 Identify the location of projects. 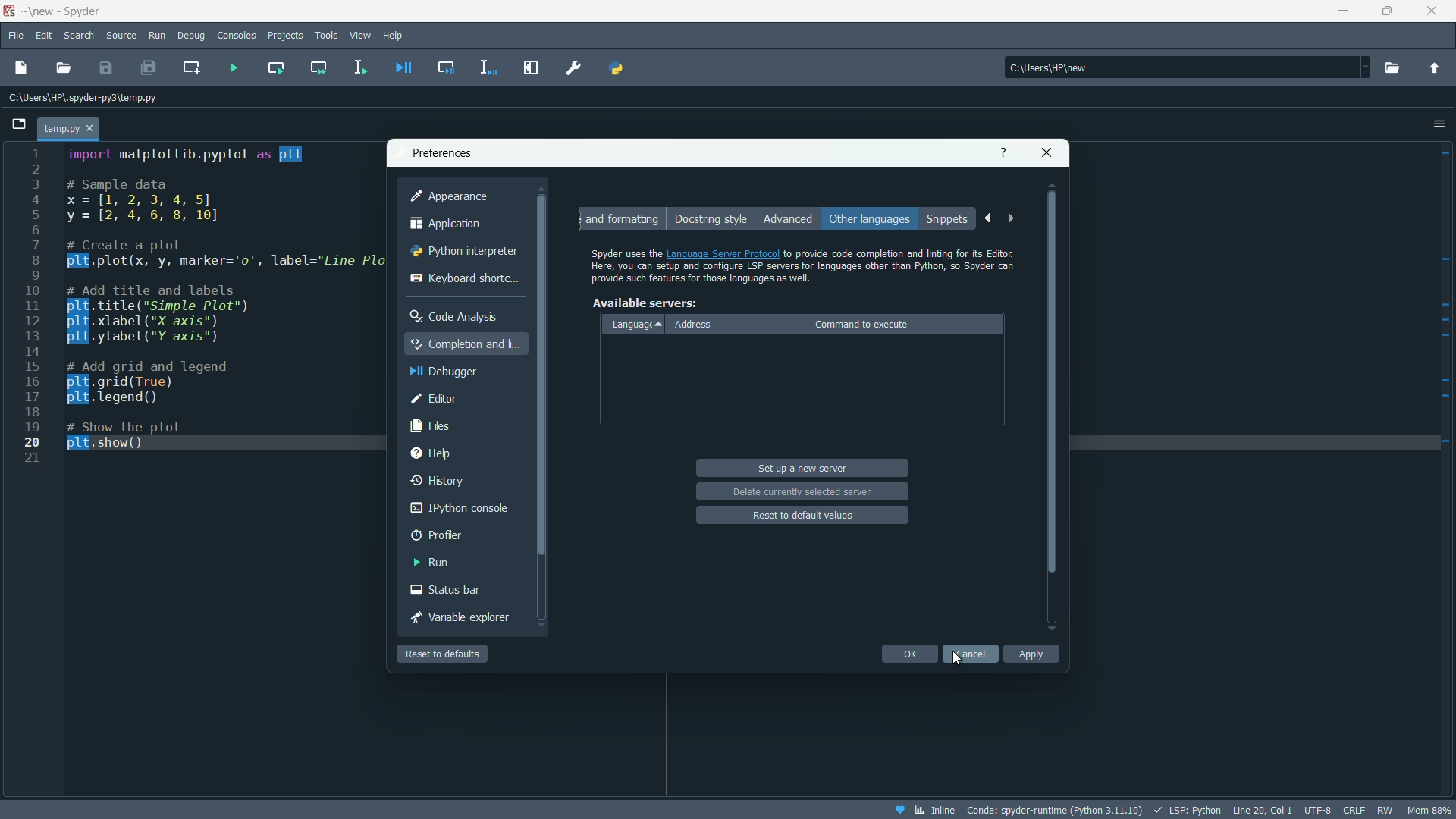
(285, 36).